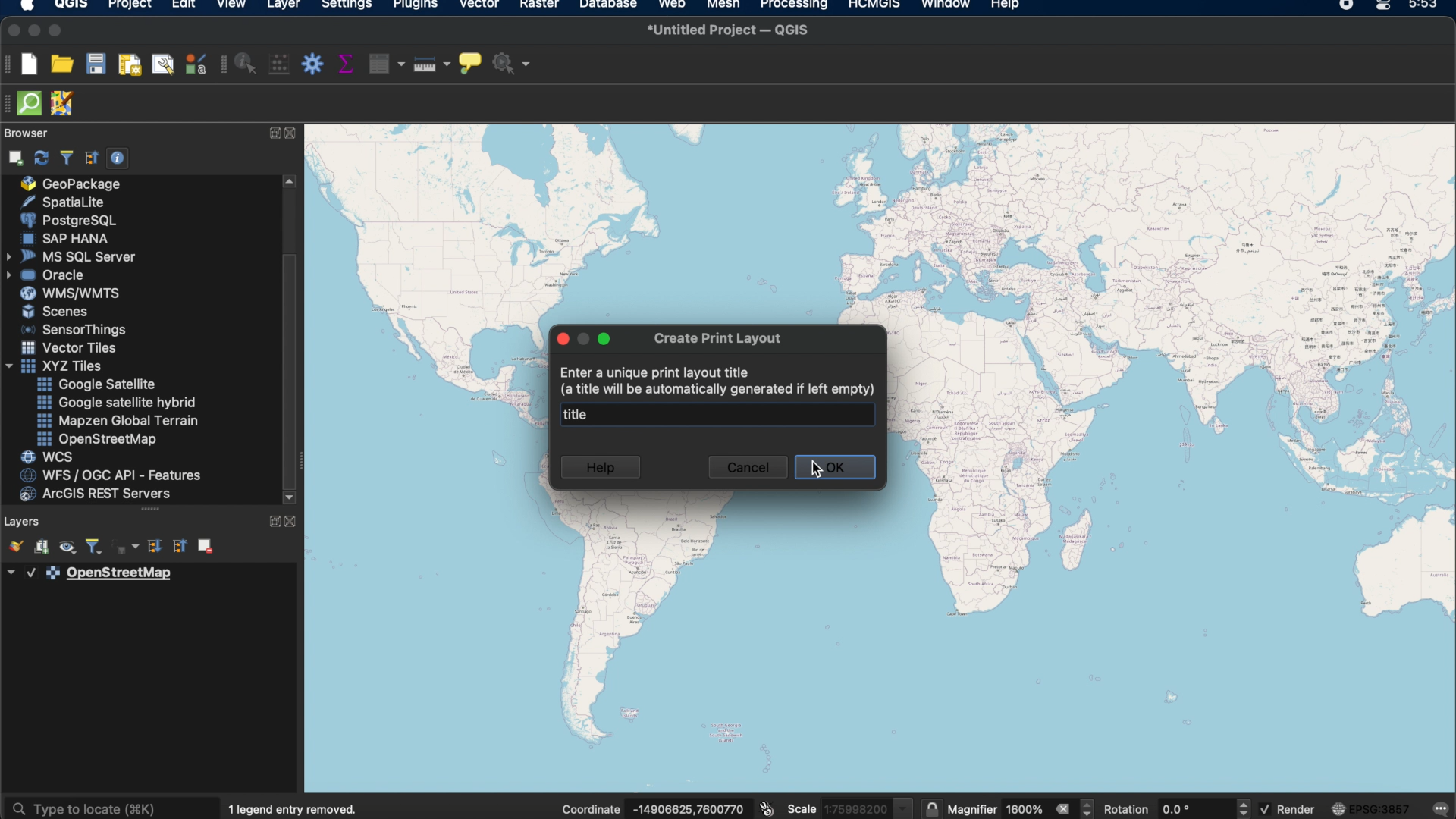 The width and height of the screenshot is (1456, 819). Describe the element at coordinates (119, 438) in the screenshot. I see `open street map` at that location.